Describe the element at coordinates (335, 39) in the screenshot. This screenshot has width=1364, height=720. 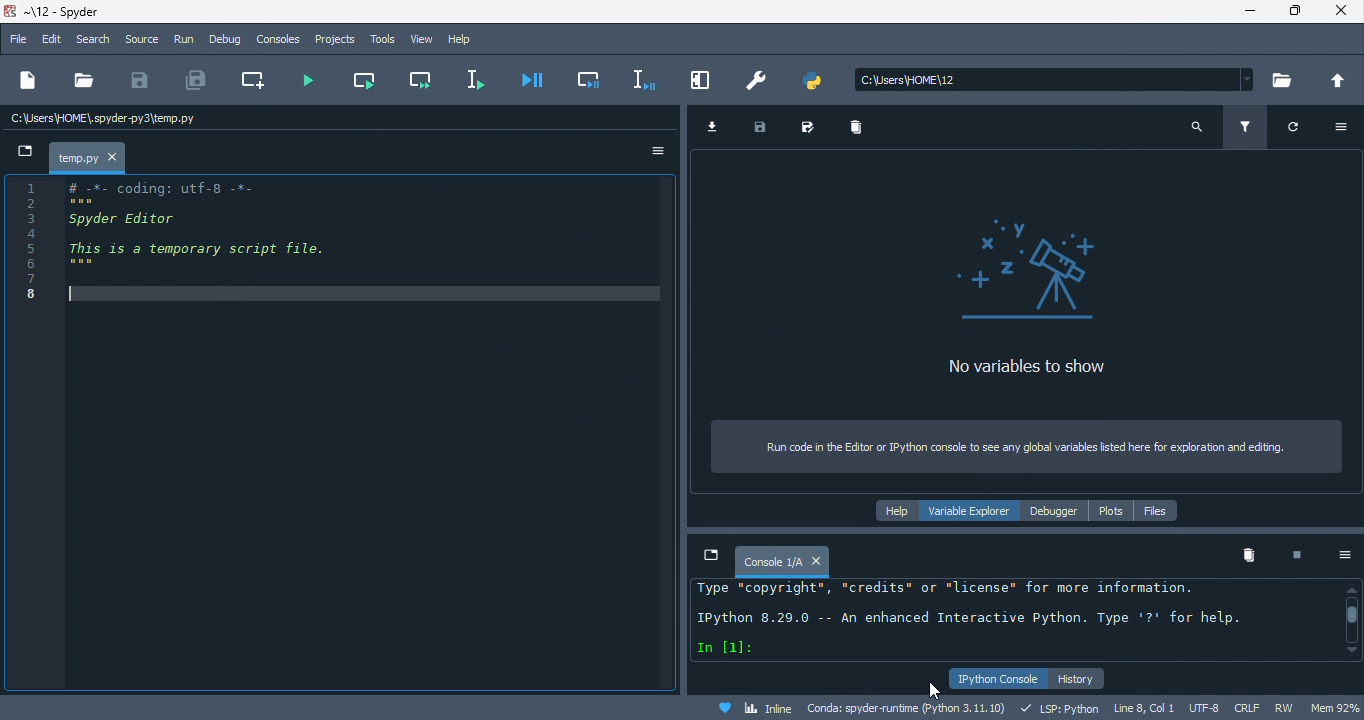
I see `projects` at that location.